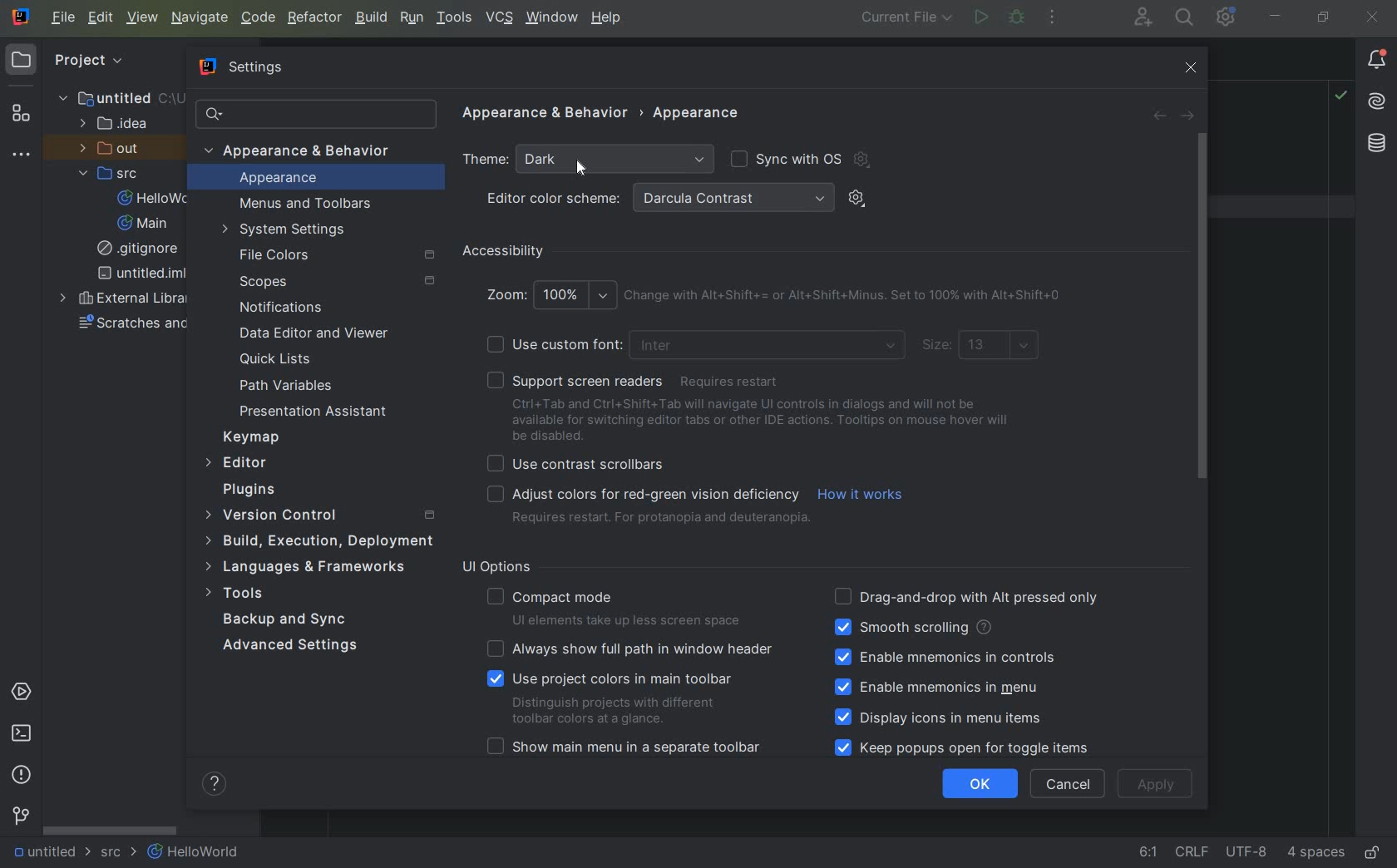 The height and width of the screenshot is (868, 1397). I want to click on APPEARANCE(selected), so click(324, 179).